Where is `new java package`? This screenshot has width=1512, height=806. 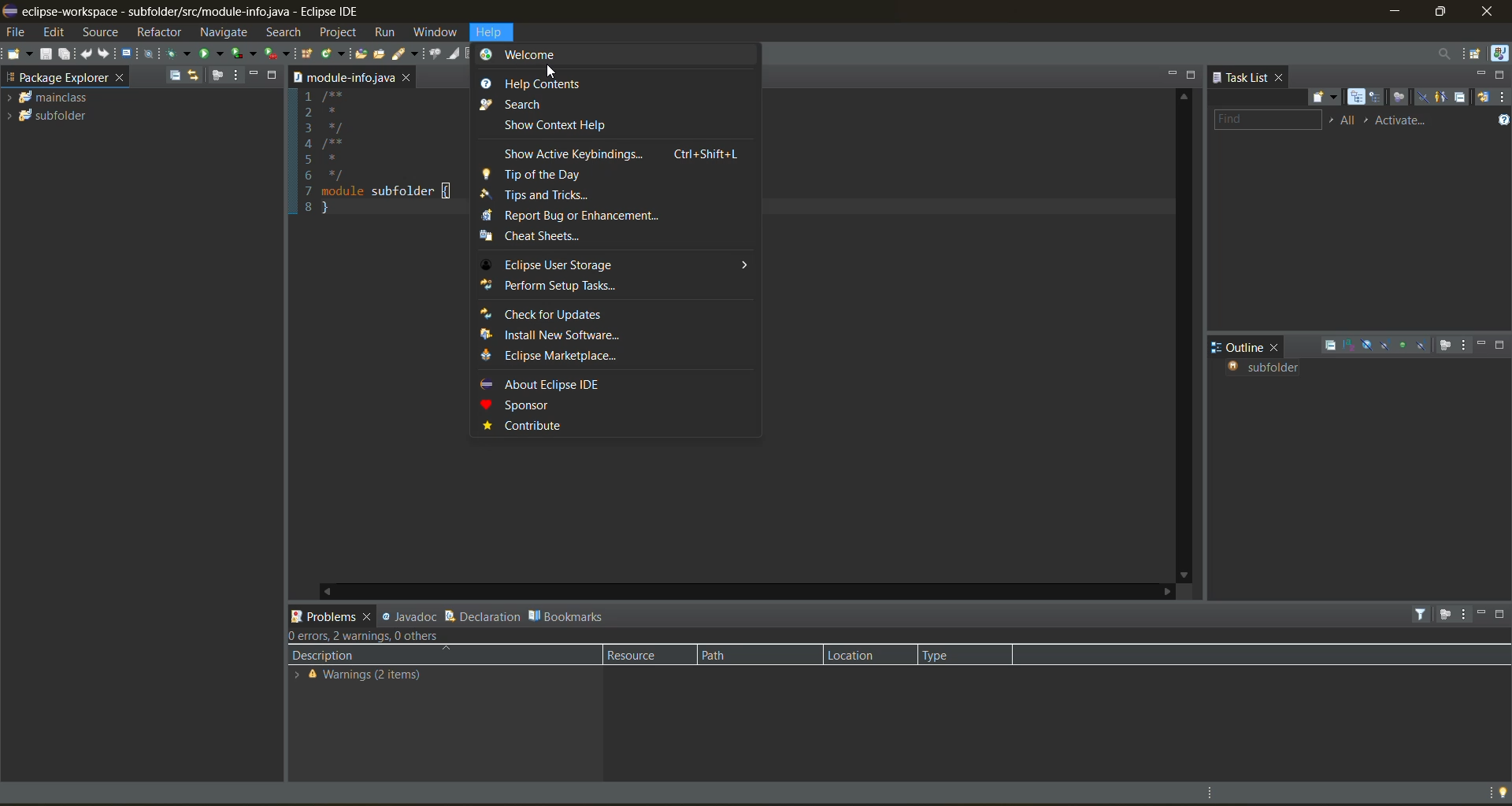
new java package is located at coordinates (307, 54).